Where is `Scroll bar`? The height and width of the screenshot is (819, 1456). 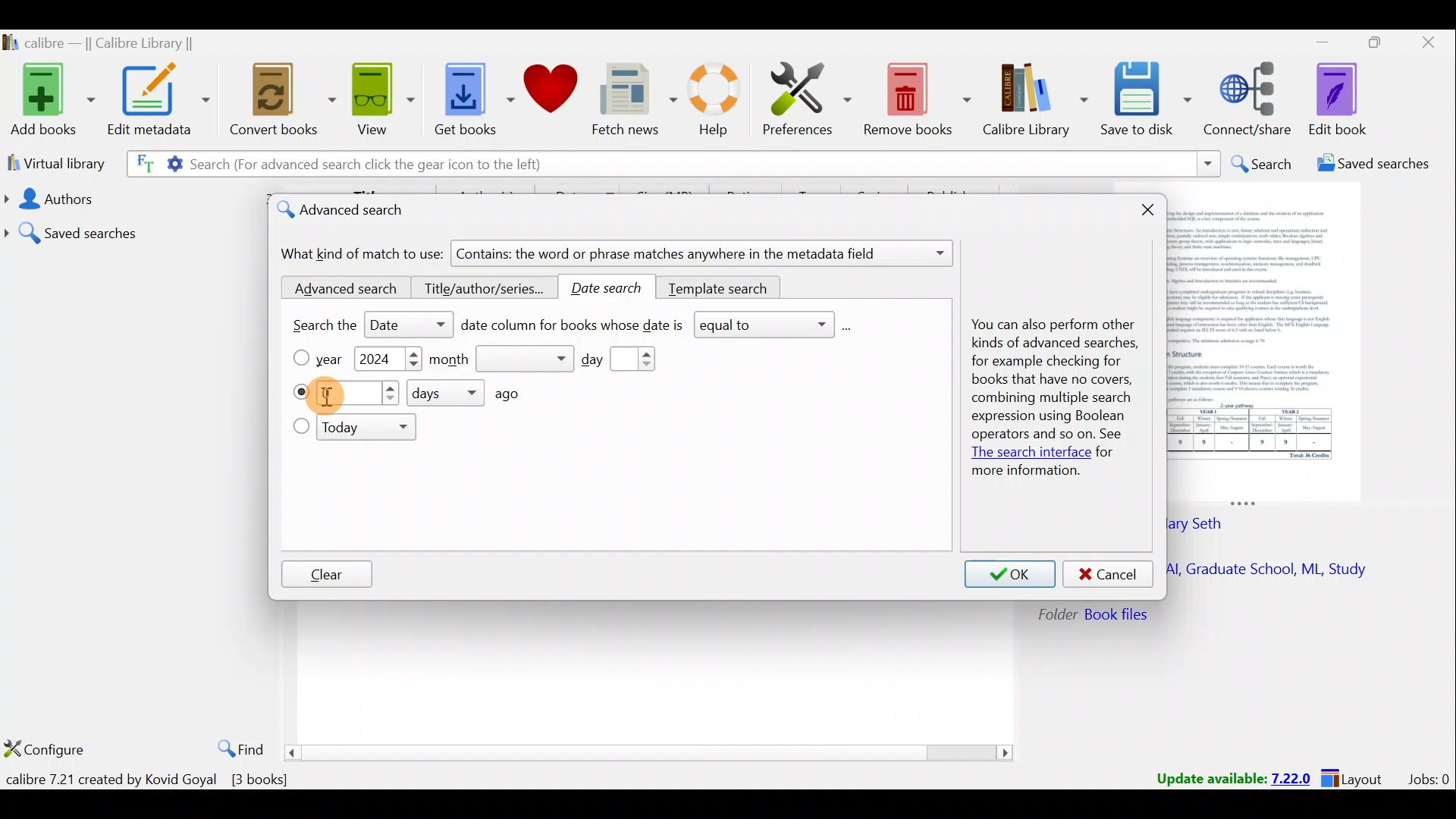 Scroll bar is located at coordinates (651, 752).